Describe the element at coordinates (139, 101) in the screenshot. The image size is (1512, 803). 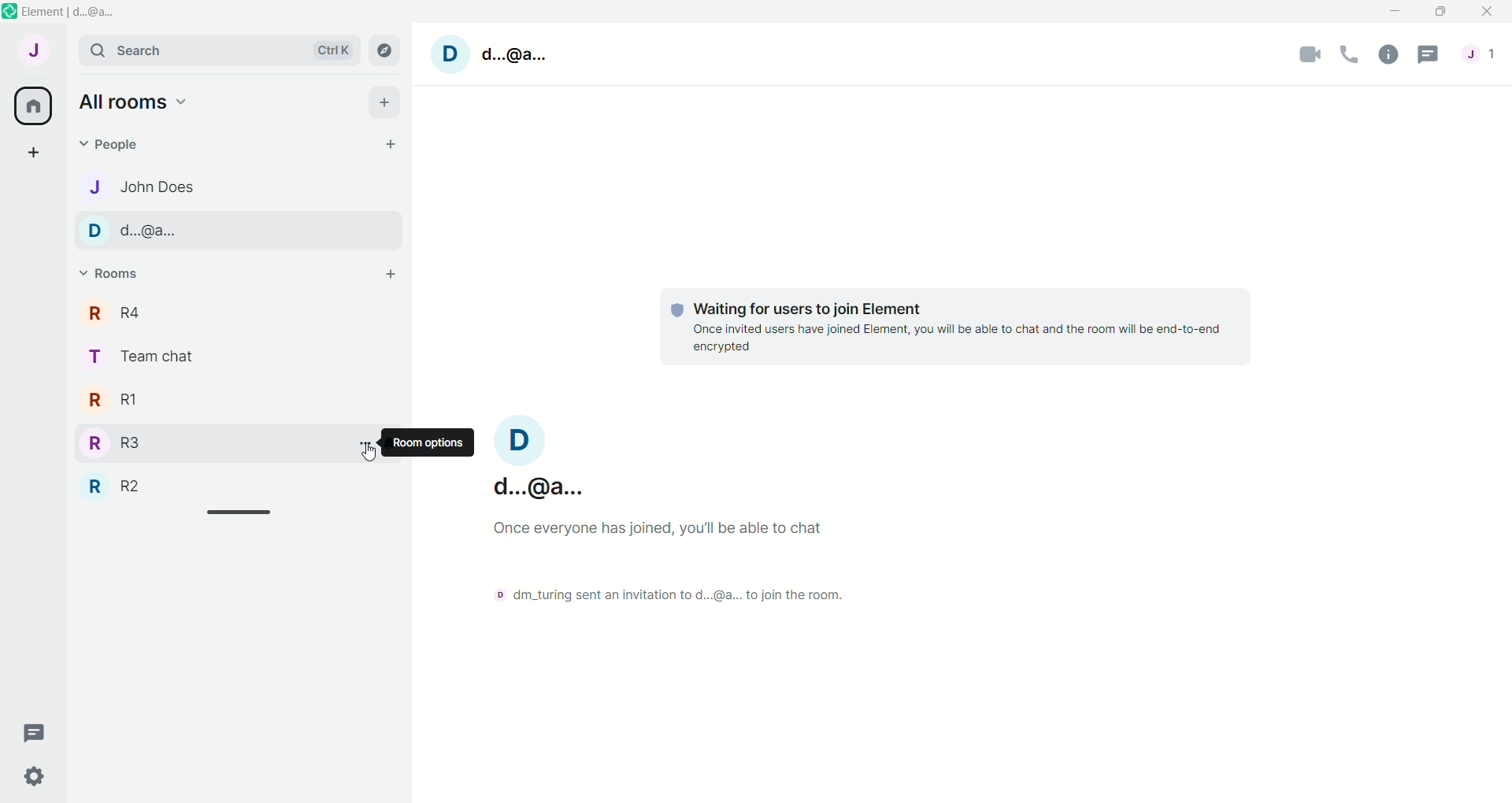
I see `all rooms` at that location.